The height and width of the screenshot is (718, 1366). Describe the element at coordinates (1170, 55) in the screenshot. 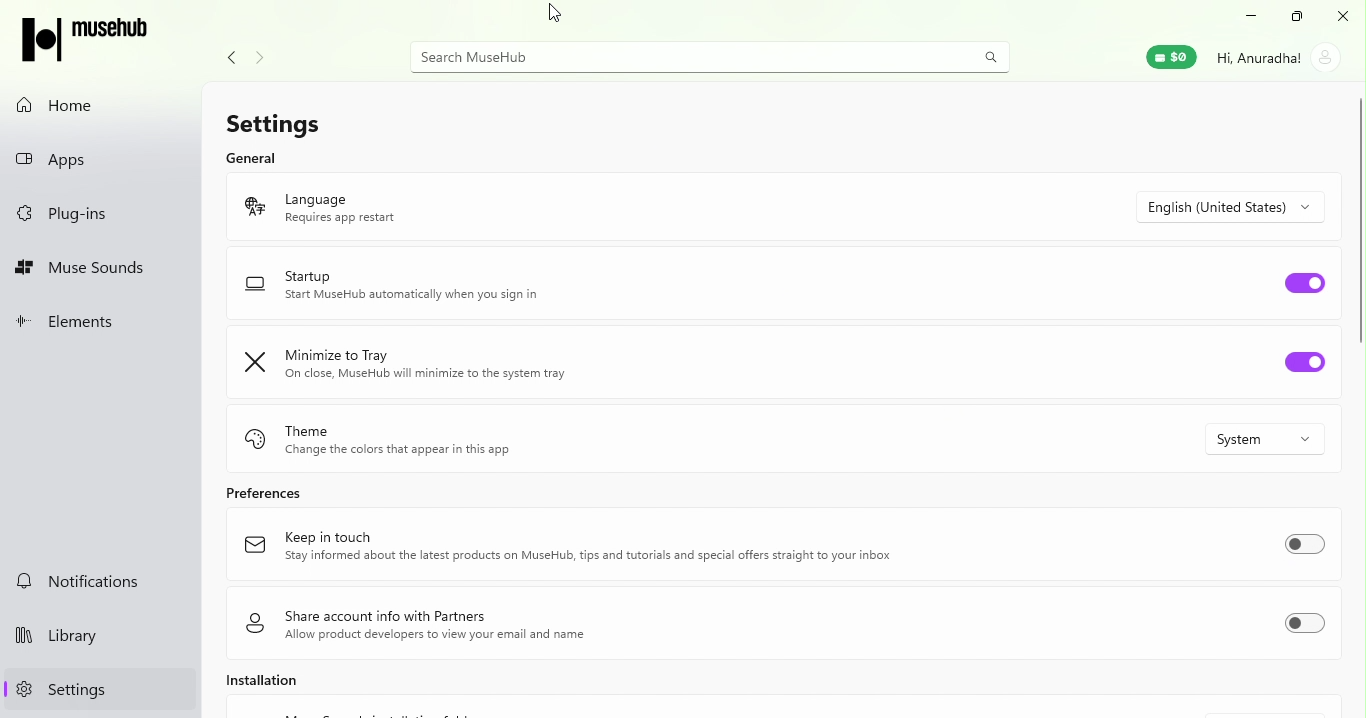

I see `Muse wallet` at that location.